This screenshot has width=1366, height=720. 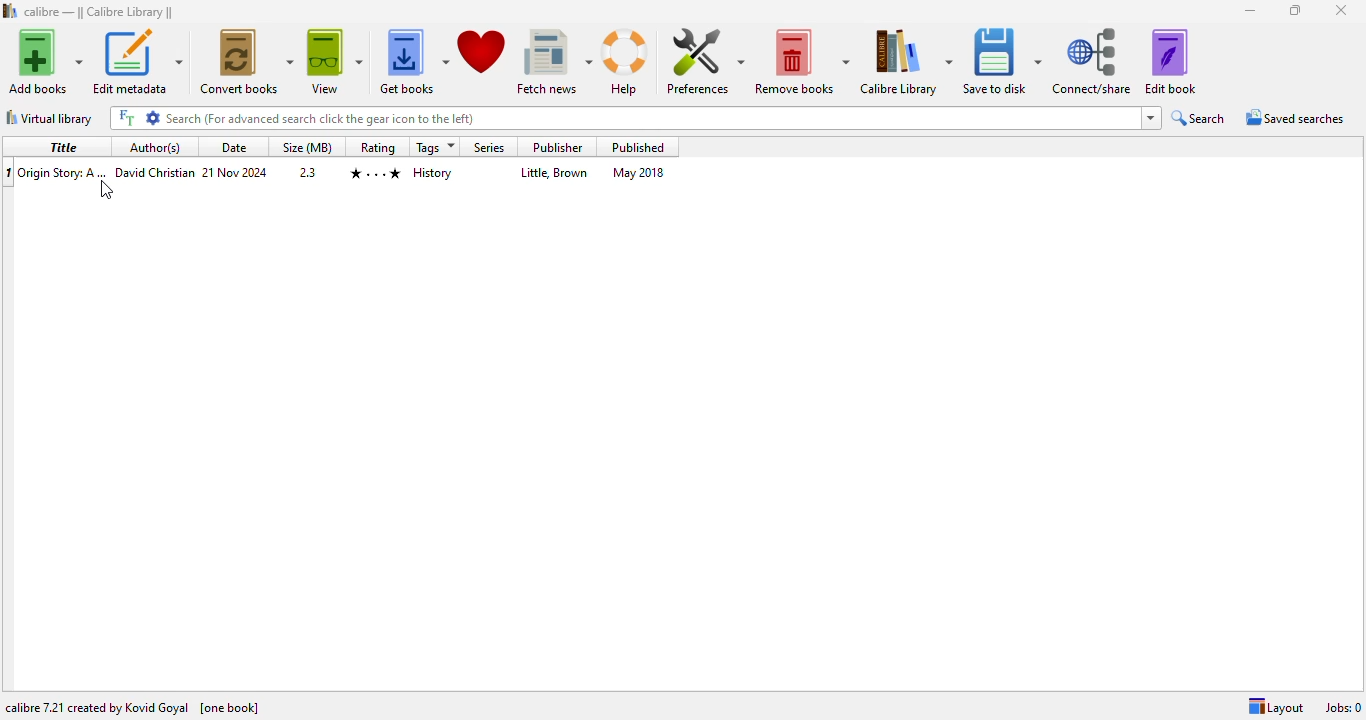 What do you see at coordinates (137, 62) in the screenshot?
I see `edit metadata` at bounding box center [137, 62].